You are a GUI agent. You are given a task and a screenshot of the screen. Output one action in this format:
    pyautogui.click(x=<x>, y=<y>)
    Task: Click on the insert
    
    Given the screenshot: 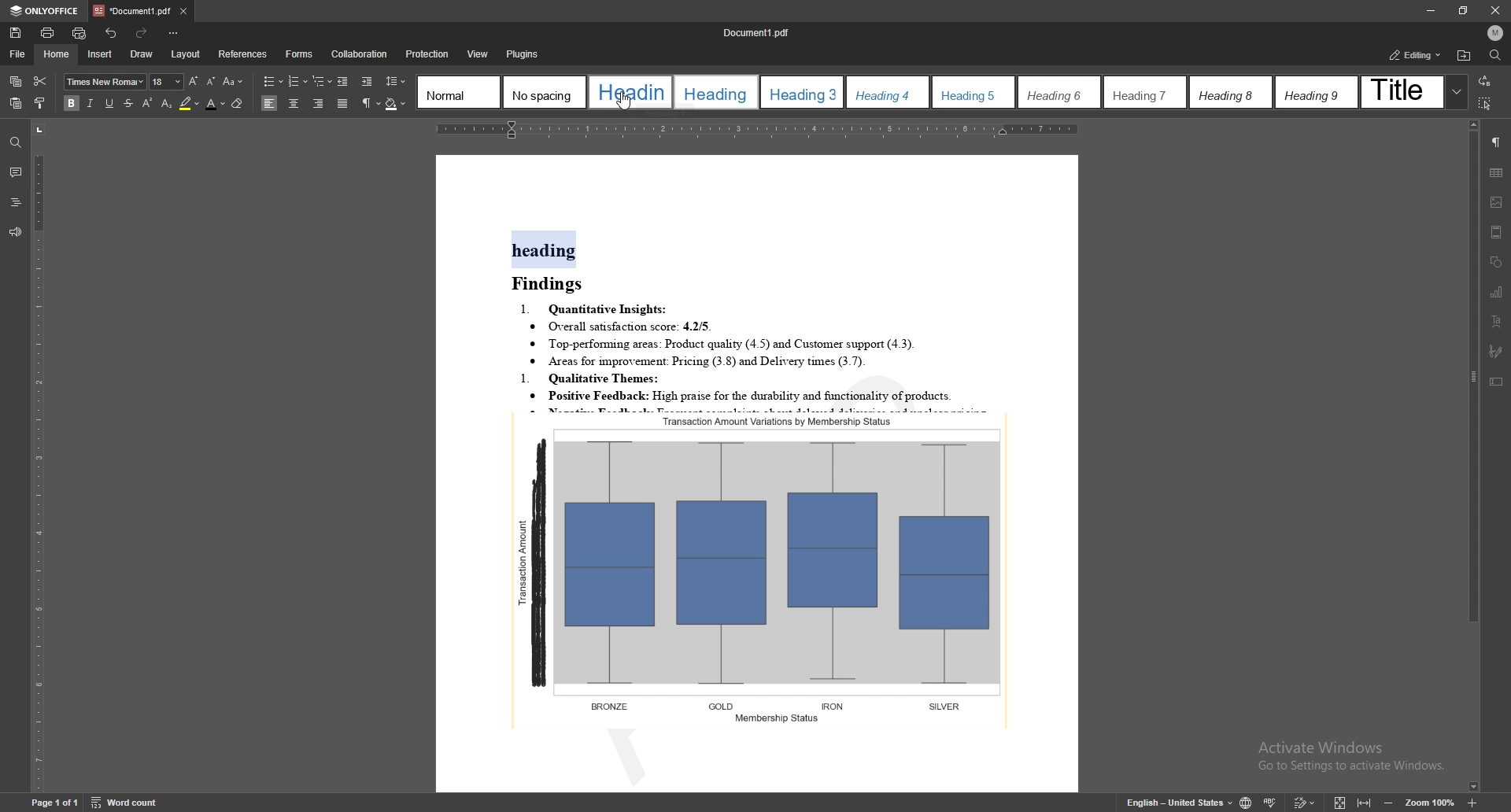 What is the action you would take?
    pyautogui.click(x=99, y=54)
    